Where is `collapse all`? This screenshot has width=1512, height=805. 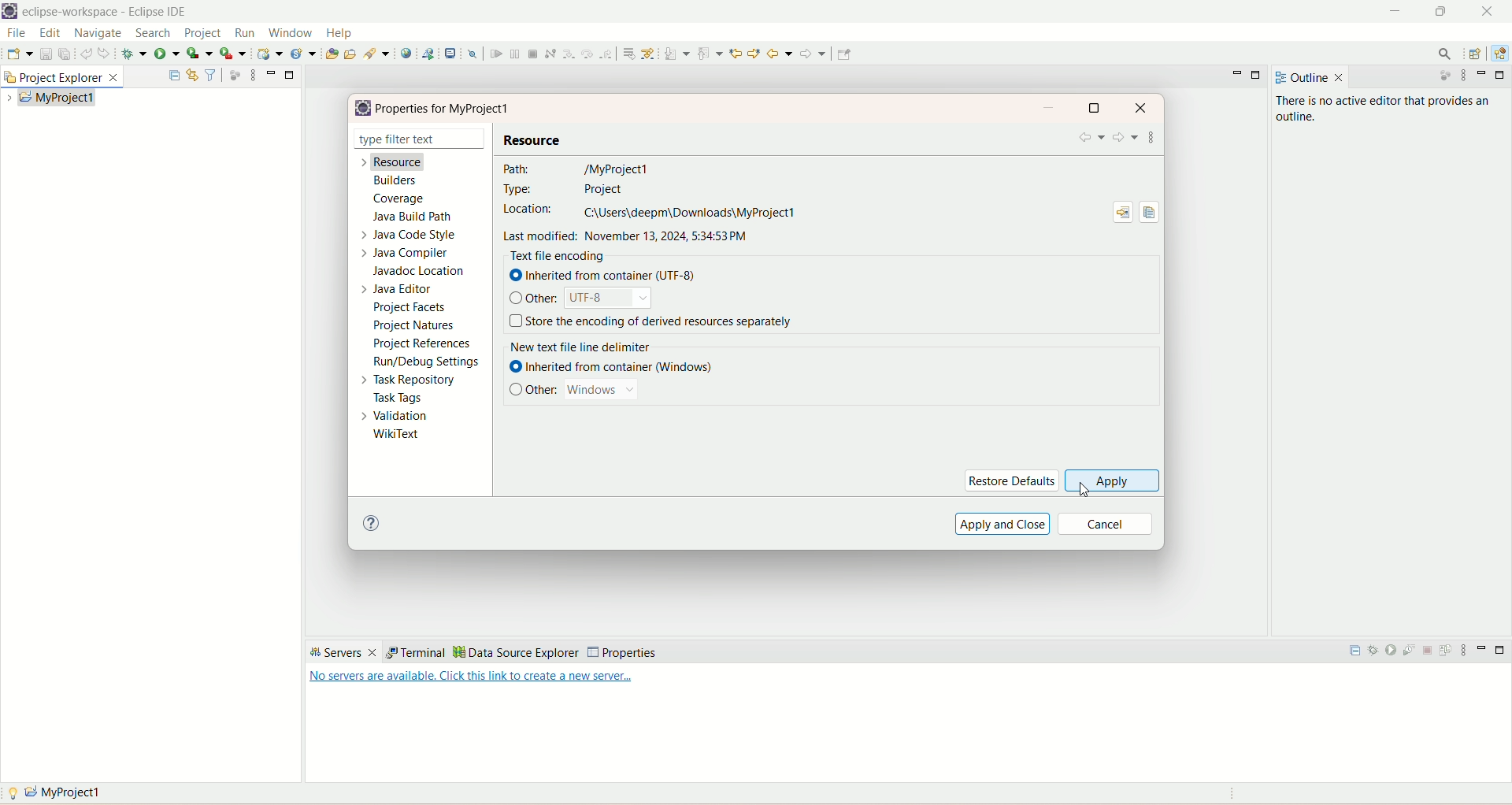
collapse all is located at coordinates (174, 72).